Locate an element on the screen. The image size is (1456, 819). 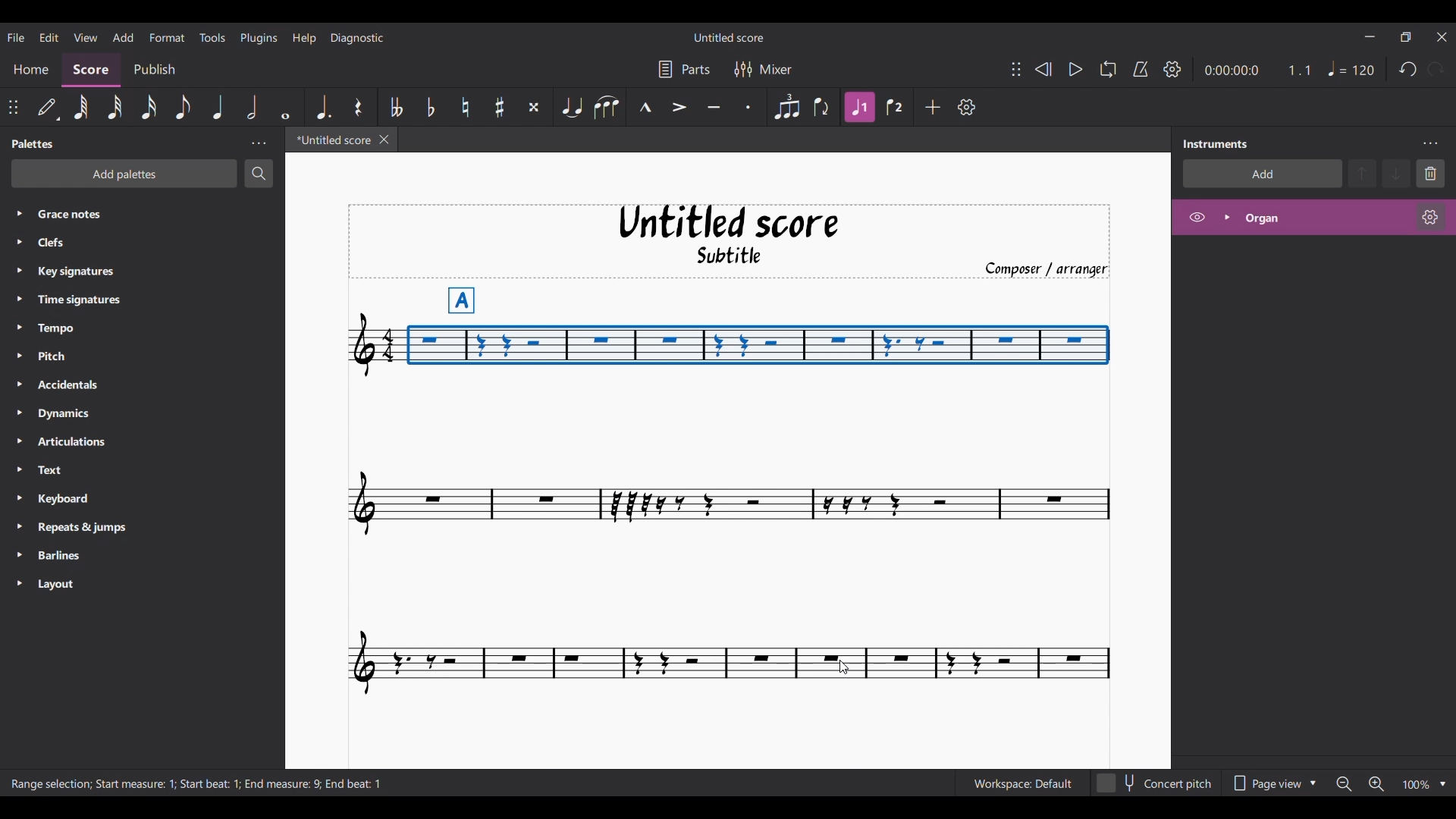
Plugins menu is located at coordinates (260, 37).